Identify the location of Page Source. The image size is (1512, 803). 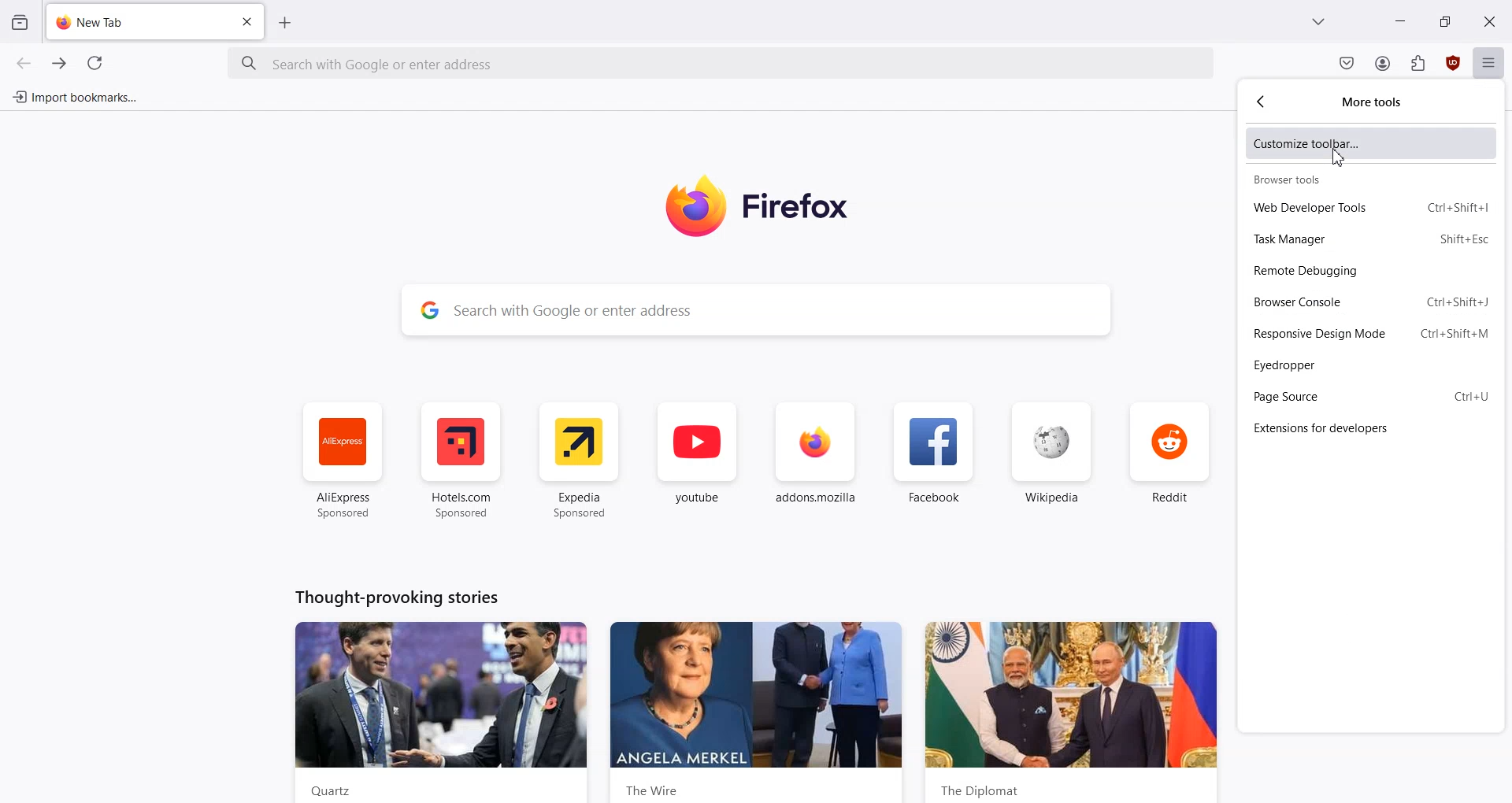
(1306, 398).